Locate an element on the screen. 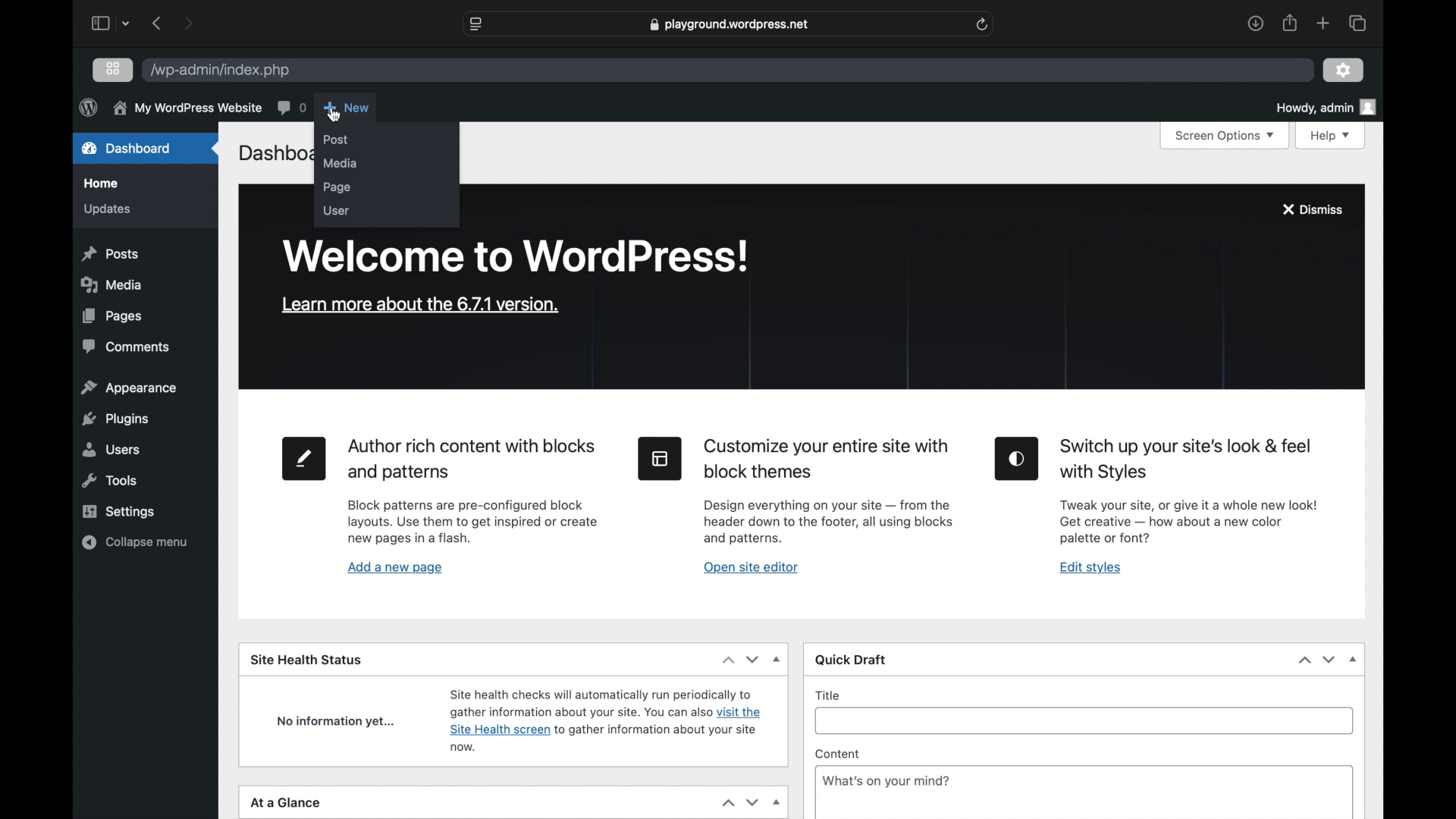 This screenshot has width=1456, height=819. edit styles is located at coordinates (1091, 569).